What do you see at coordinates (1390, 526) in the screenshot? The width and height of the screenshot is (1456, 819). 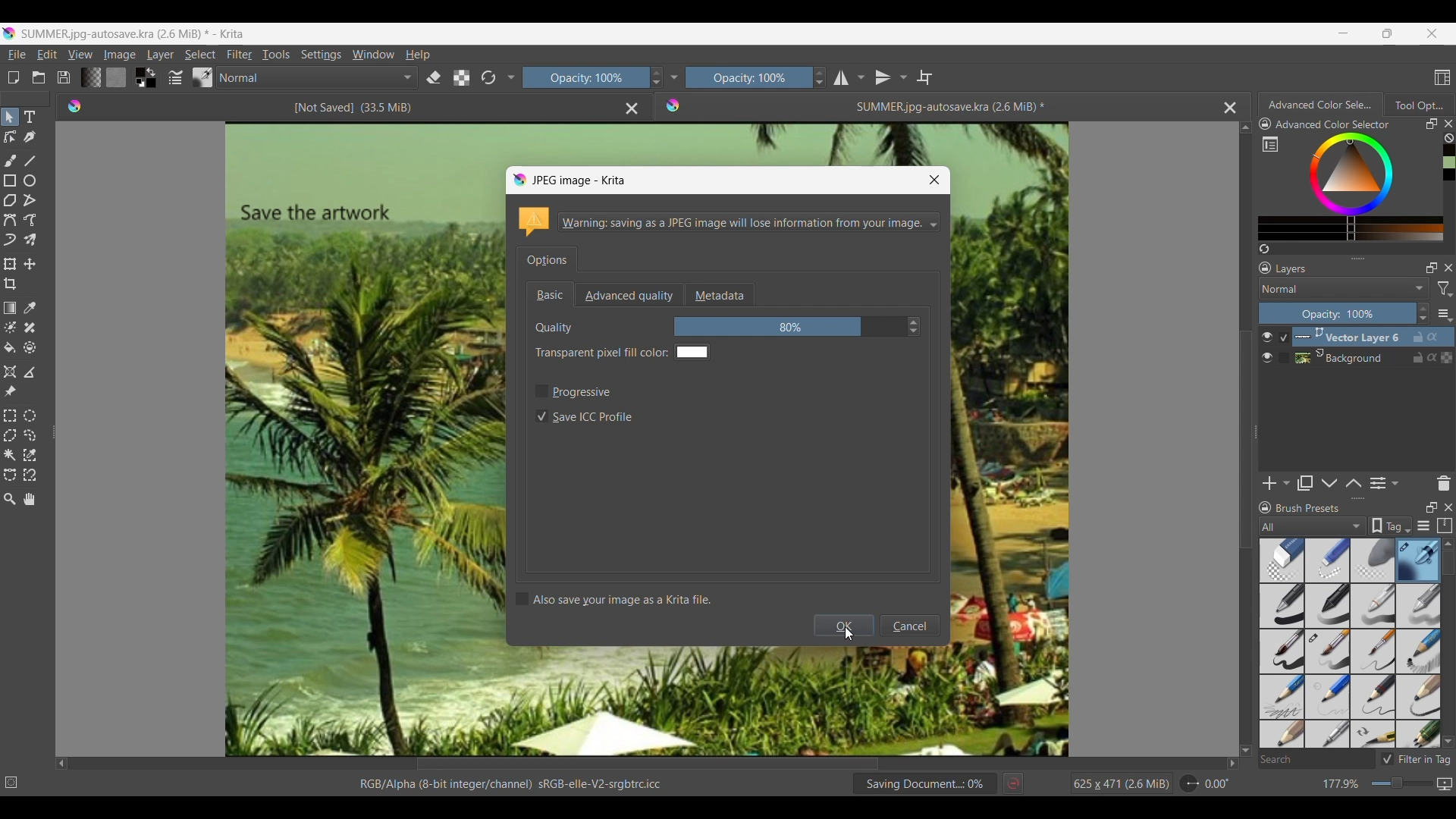 I see `Show the tag box options` at bounding box center [1390, 526].